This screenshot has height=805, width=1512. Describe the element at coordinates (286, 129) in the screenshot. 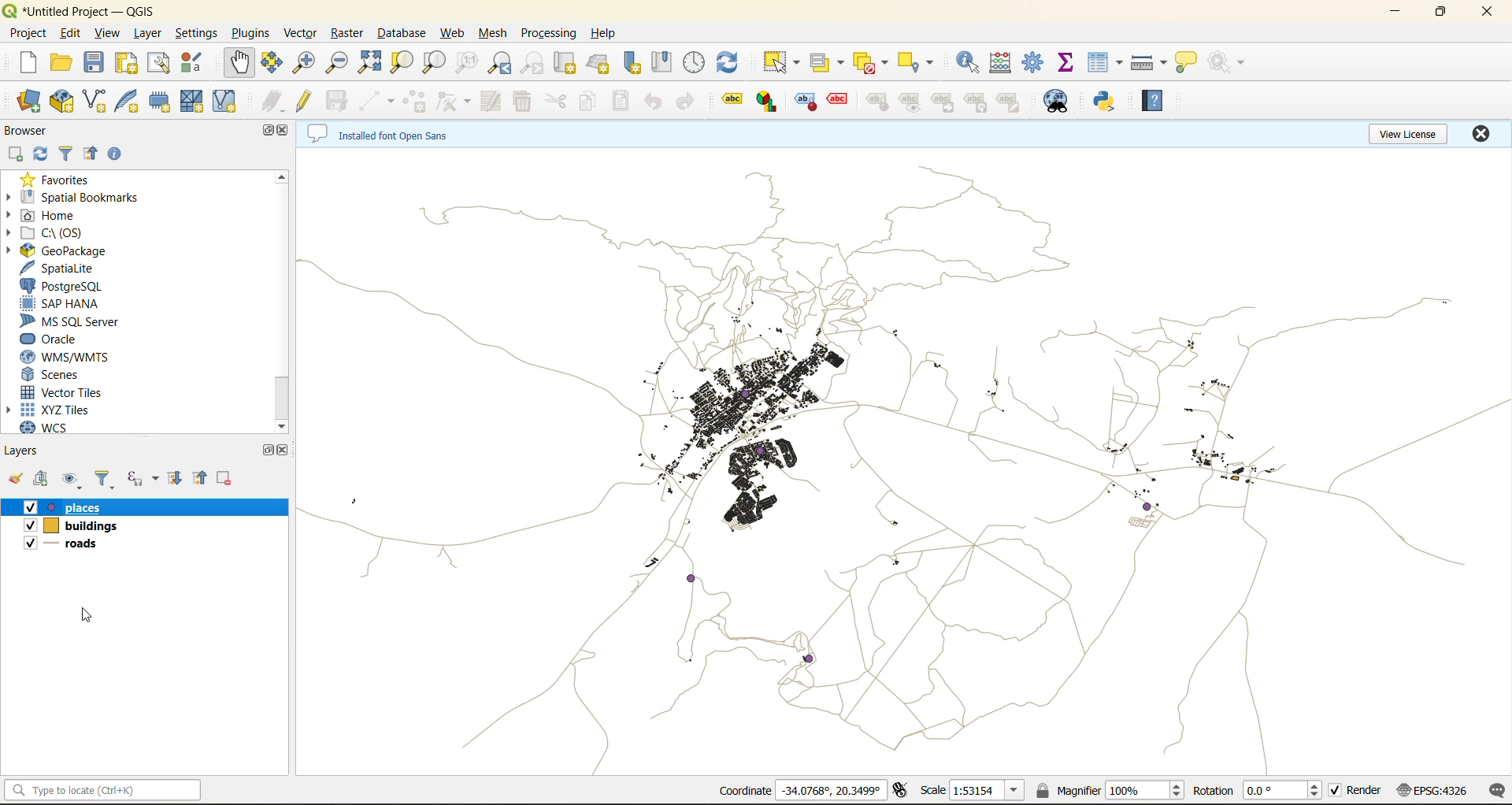

I see `close` at that location.